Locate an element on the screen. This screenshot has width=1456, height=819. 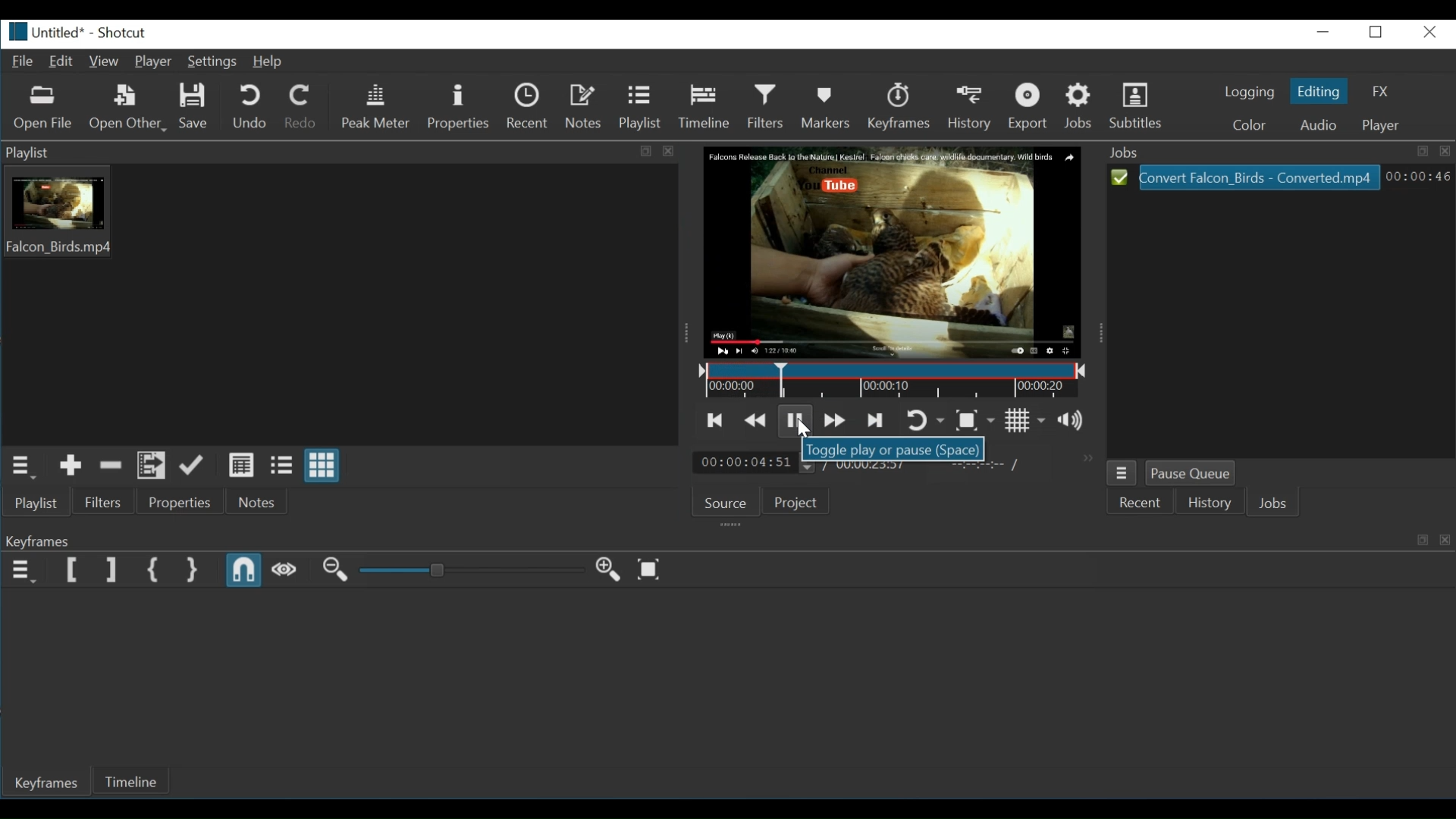
Help is located at coordinates (267, 62).